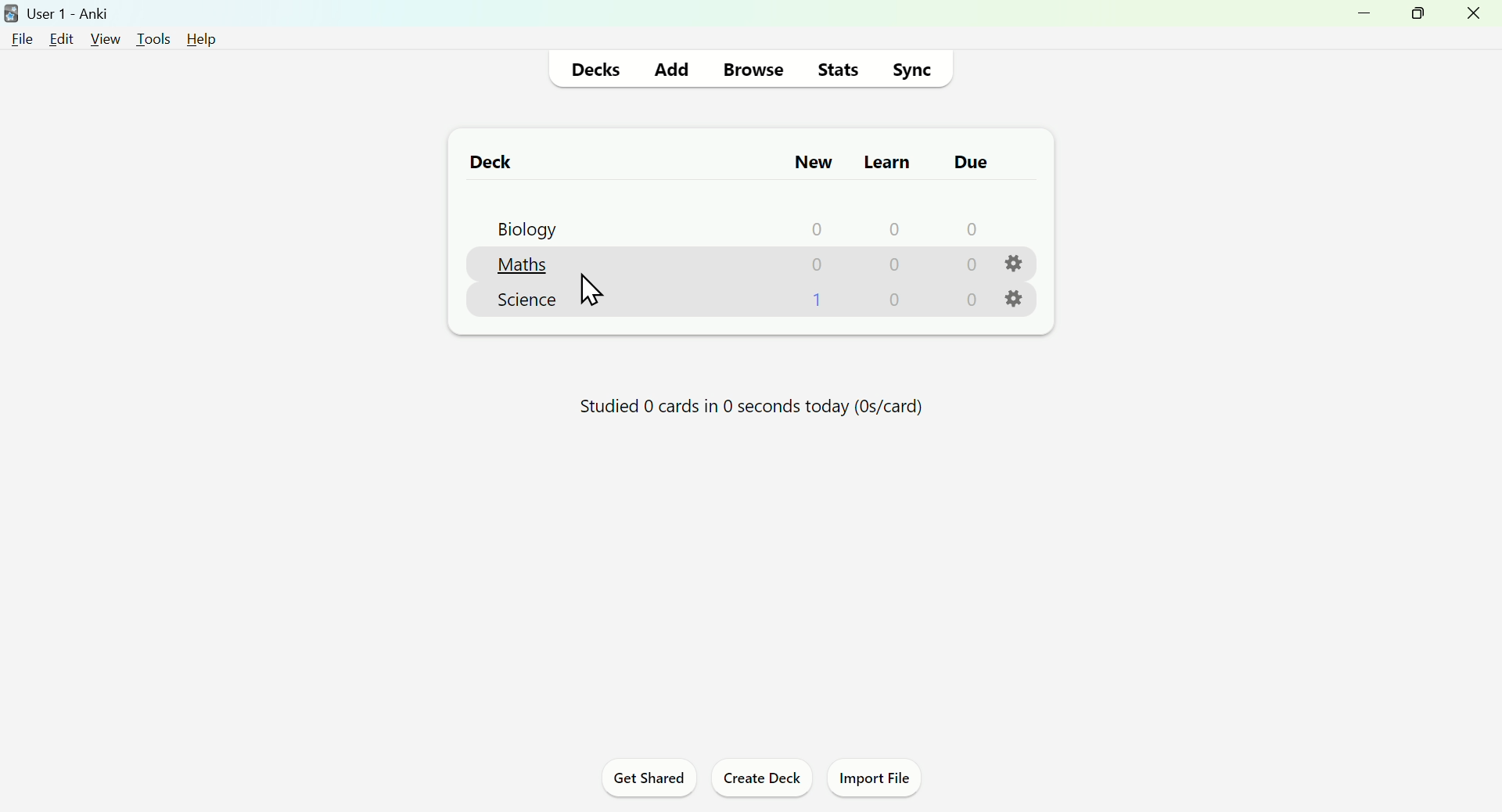 The image size is (1502, 812). What do you see at coordinates (1018, 300) in the screenshot?
I see `Settings` at bounding box center [1018, 300].